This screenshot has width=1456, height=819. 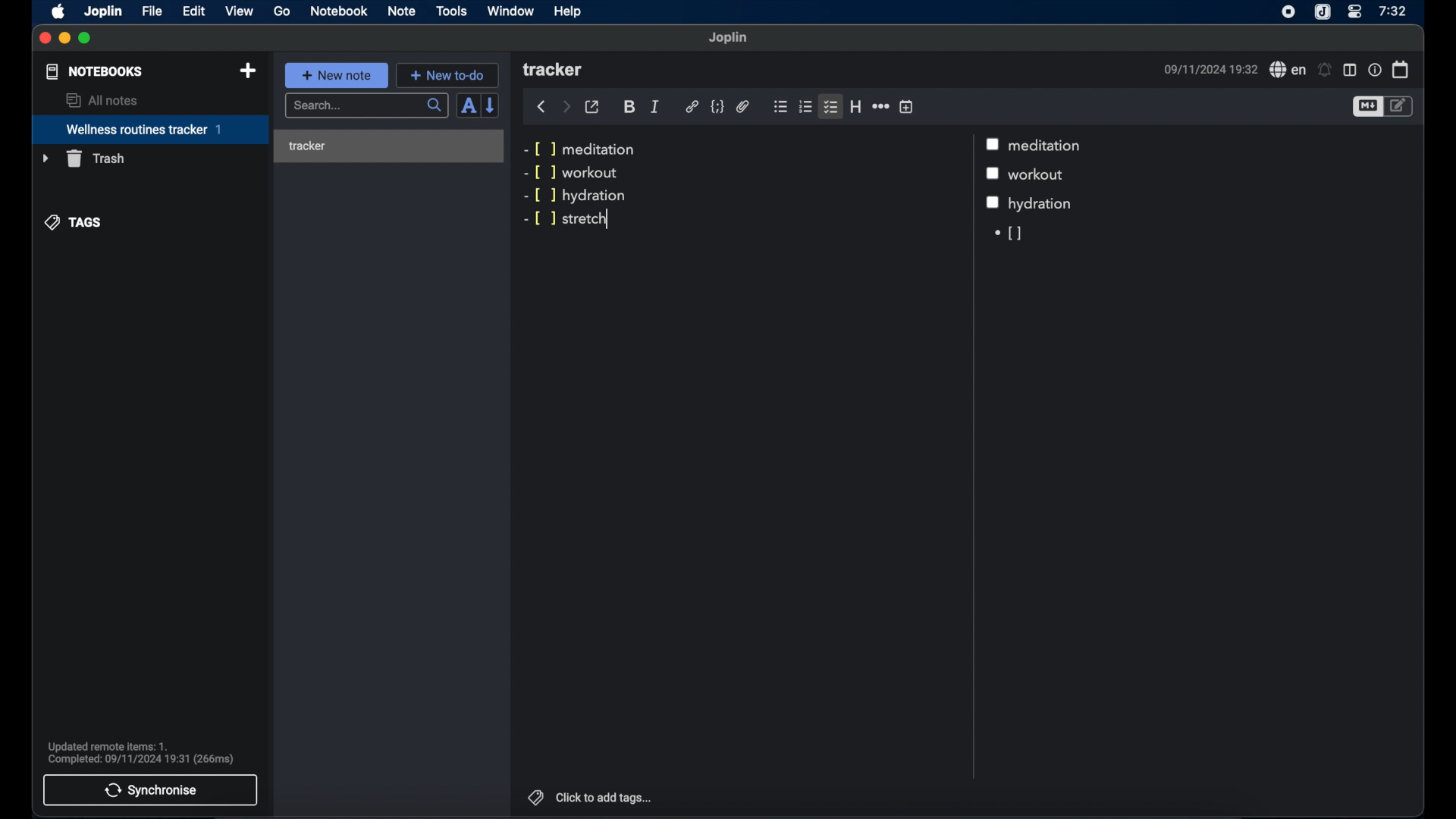 What do you see at coordinates (906, 106) in the screenshot?
I see `insert time` at bounding box center [906, 106].